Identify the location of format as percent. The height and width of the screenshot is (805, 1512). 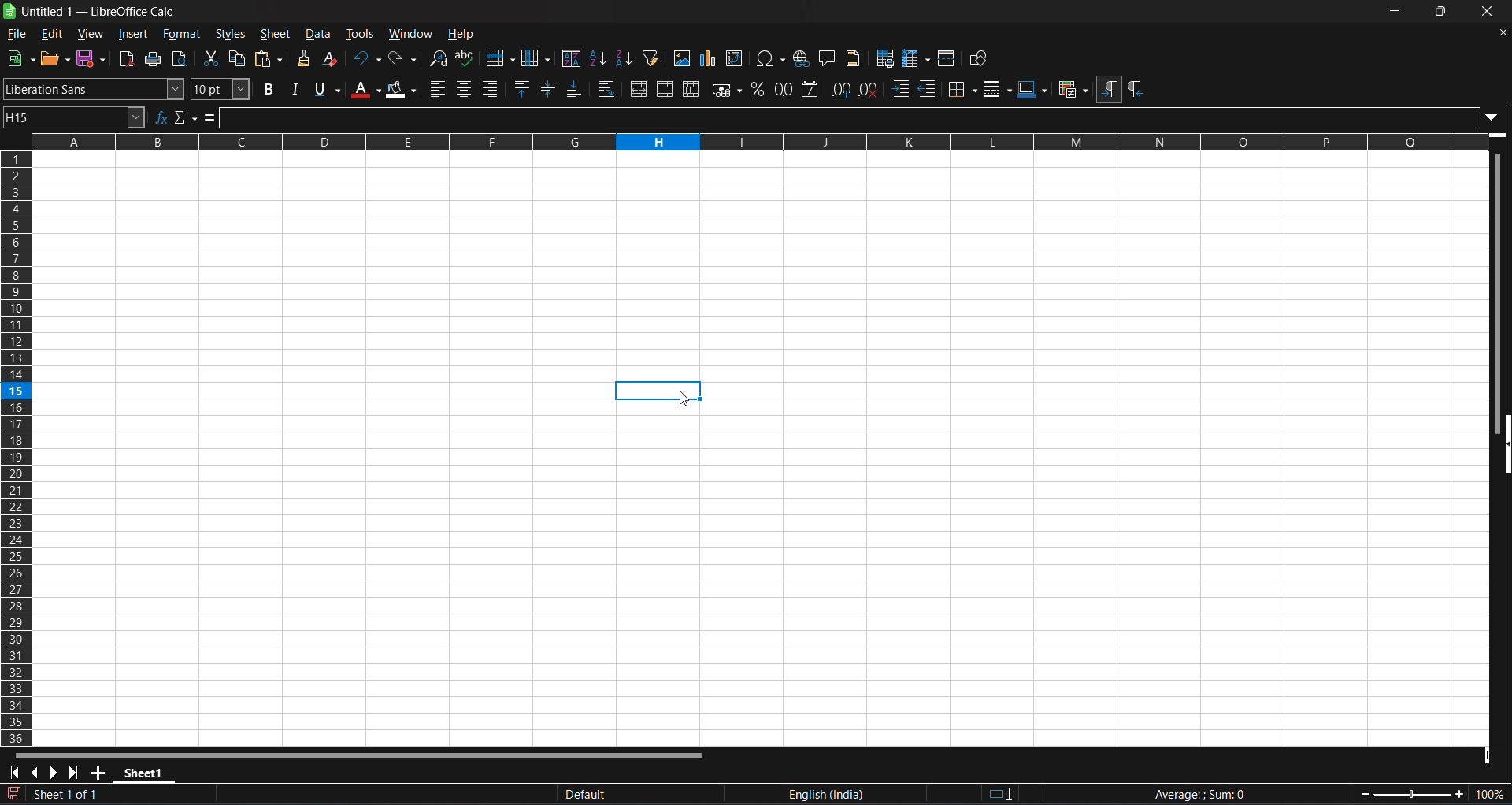
(757, 89).